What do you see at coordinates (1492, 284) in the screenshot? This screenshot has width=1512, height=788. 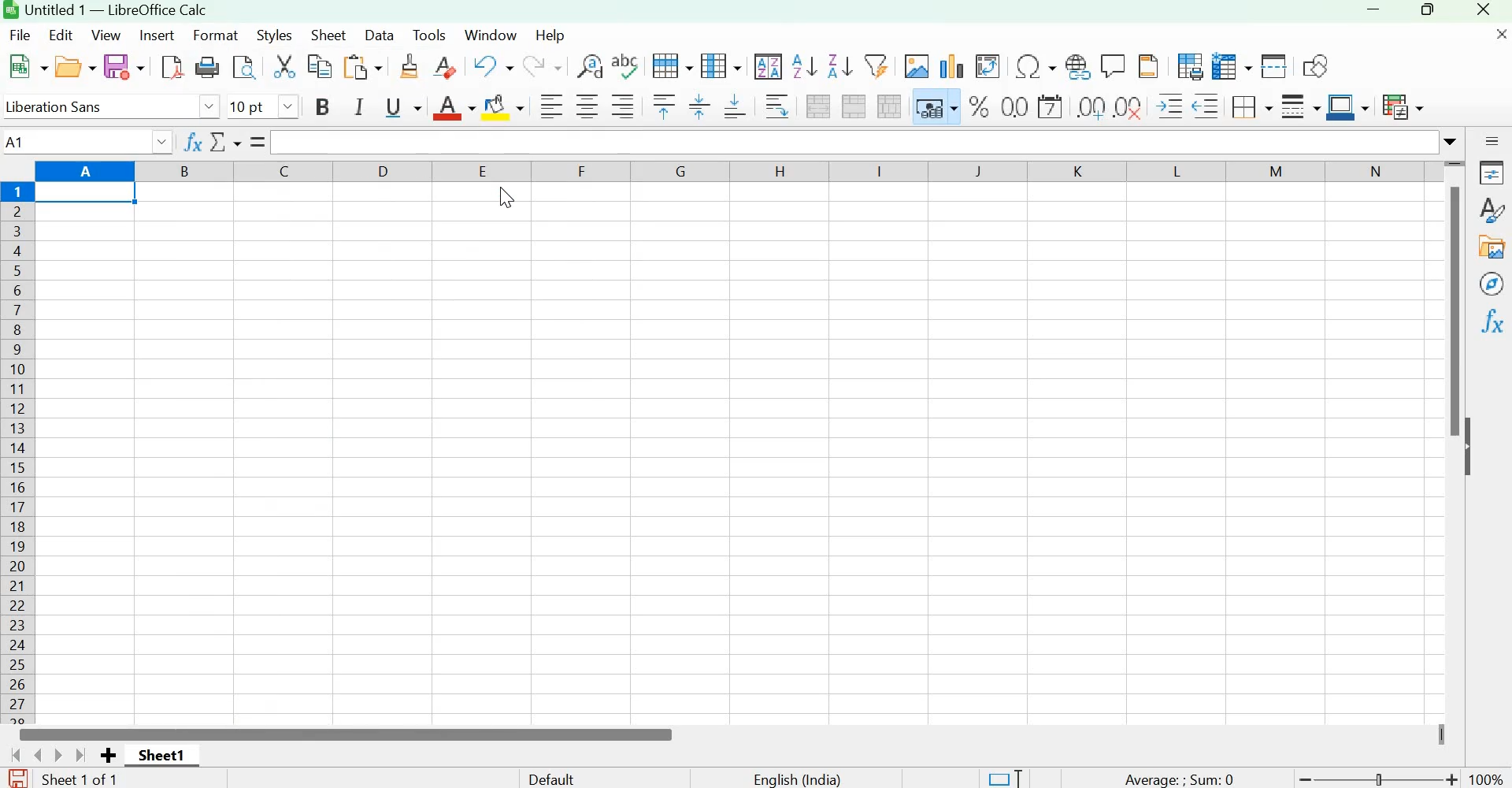 I see `Navigator` at bounding box center [1492, 284].